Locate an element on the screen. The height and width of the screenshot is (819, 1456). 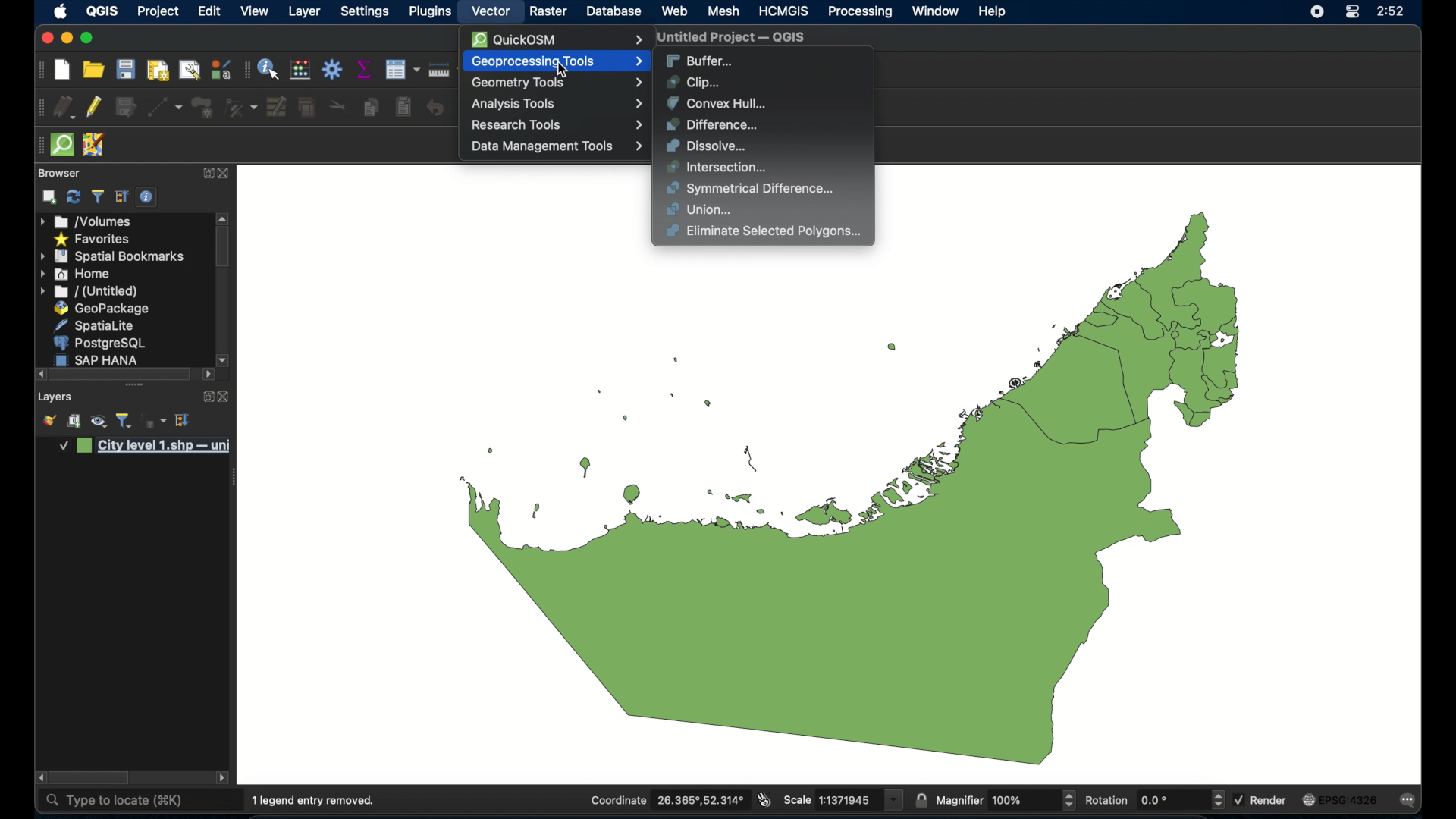
geometry tools menu is located at coordinates (557, 83).